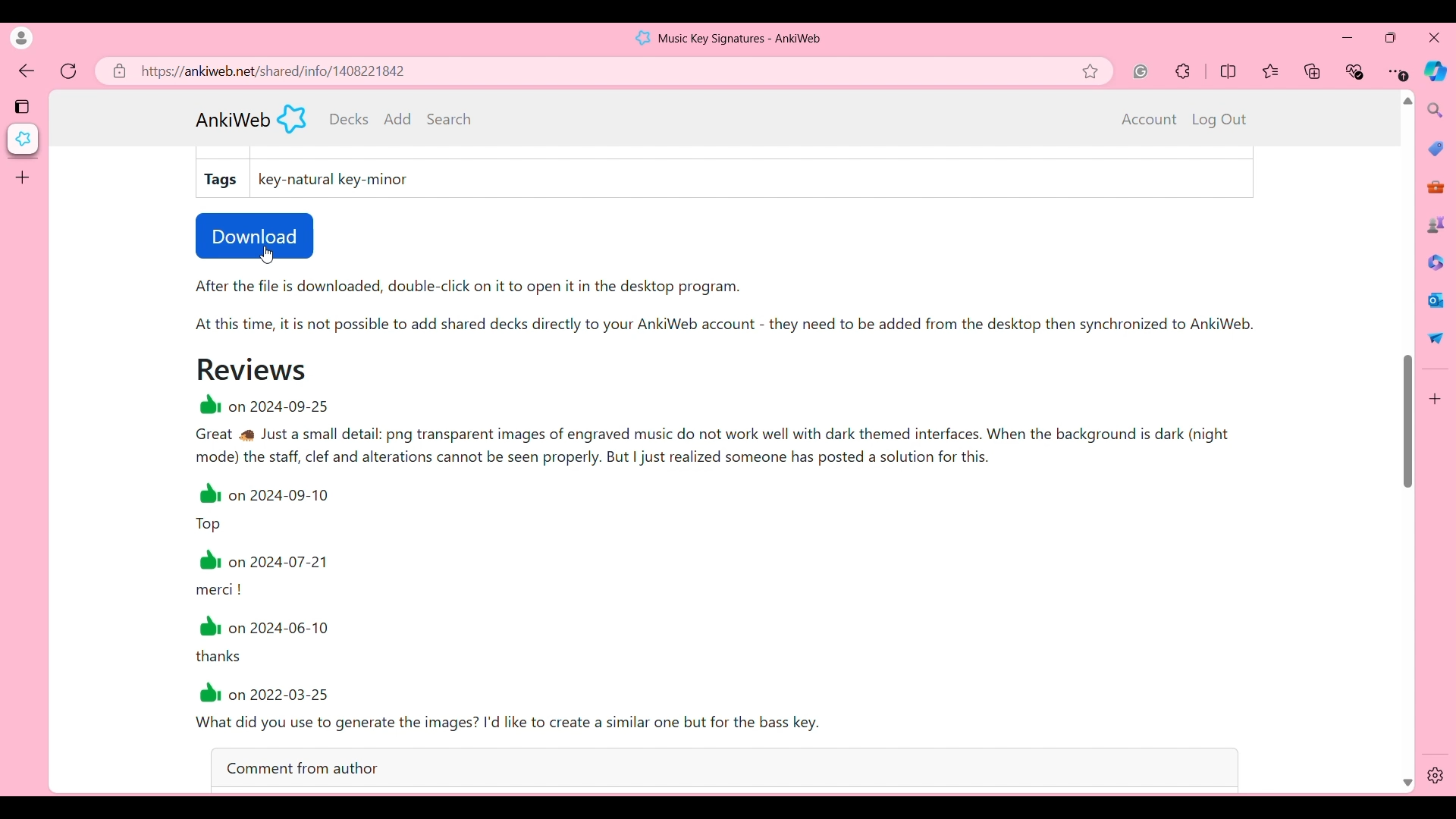 The image size is (1456, 819). Describe the element at coordinates (1150, 120) in the screenshot. I see `Account` at that location.